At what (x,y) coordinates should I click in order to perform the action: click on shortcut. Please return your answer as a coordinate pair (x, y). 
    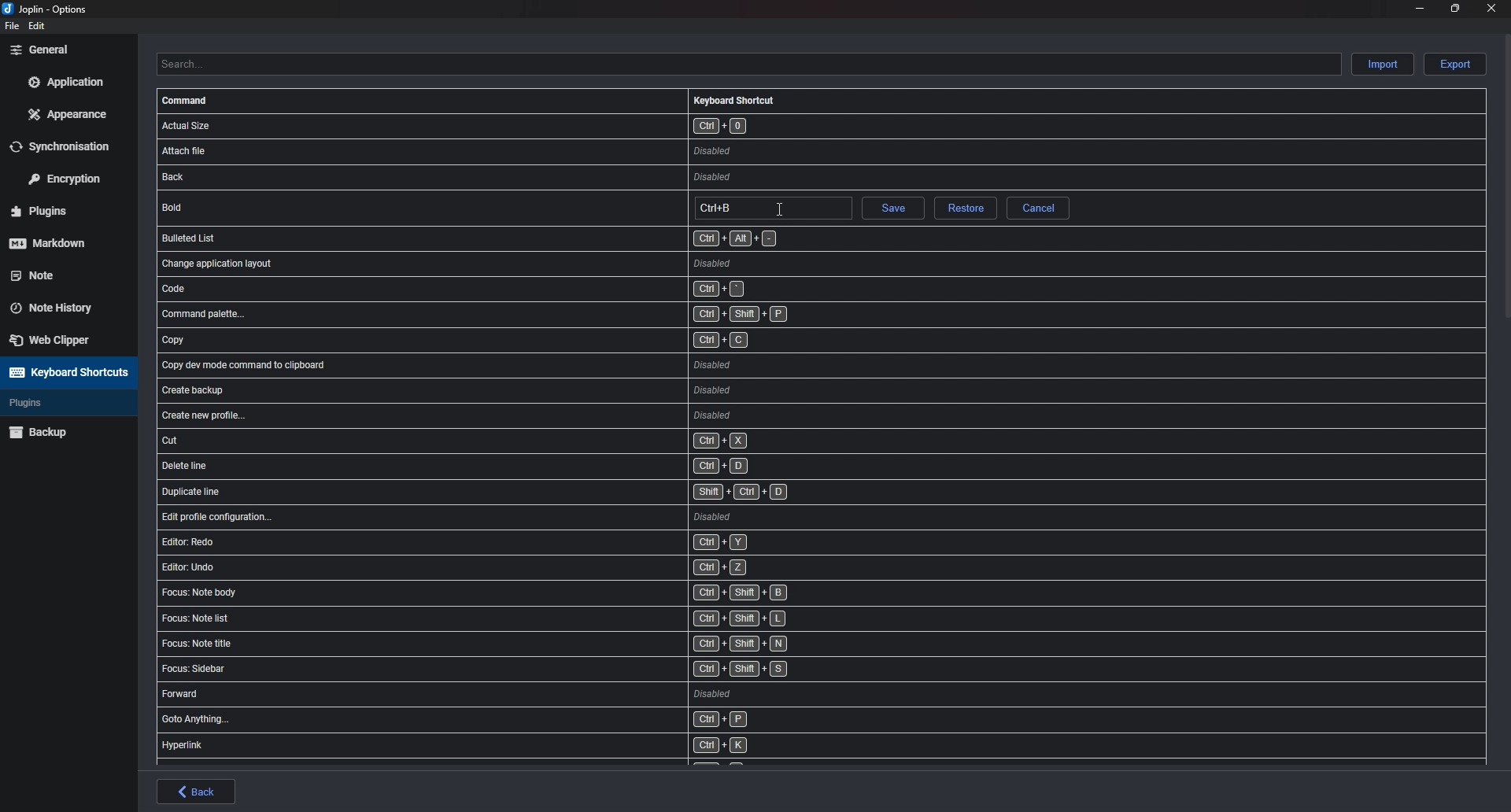
    Looking at the image, I should click on (515, 646).